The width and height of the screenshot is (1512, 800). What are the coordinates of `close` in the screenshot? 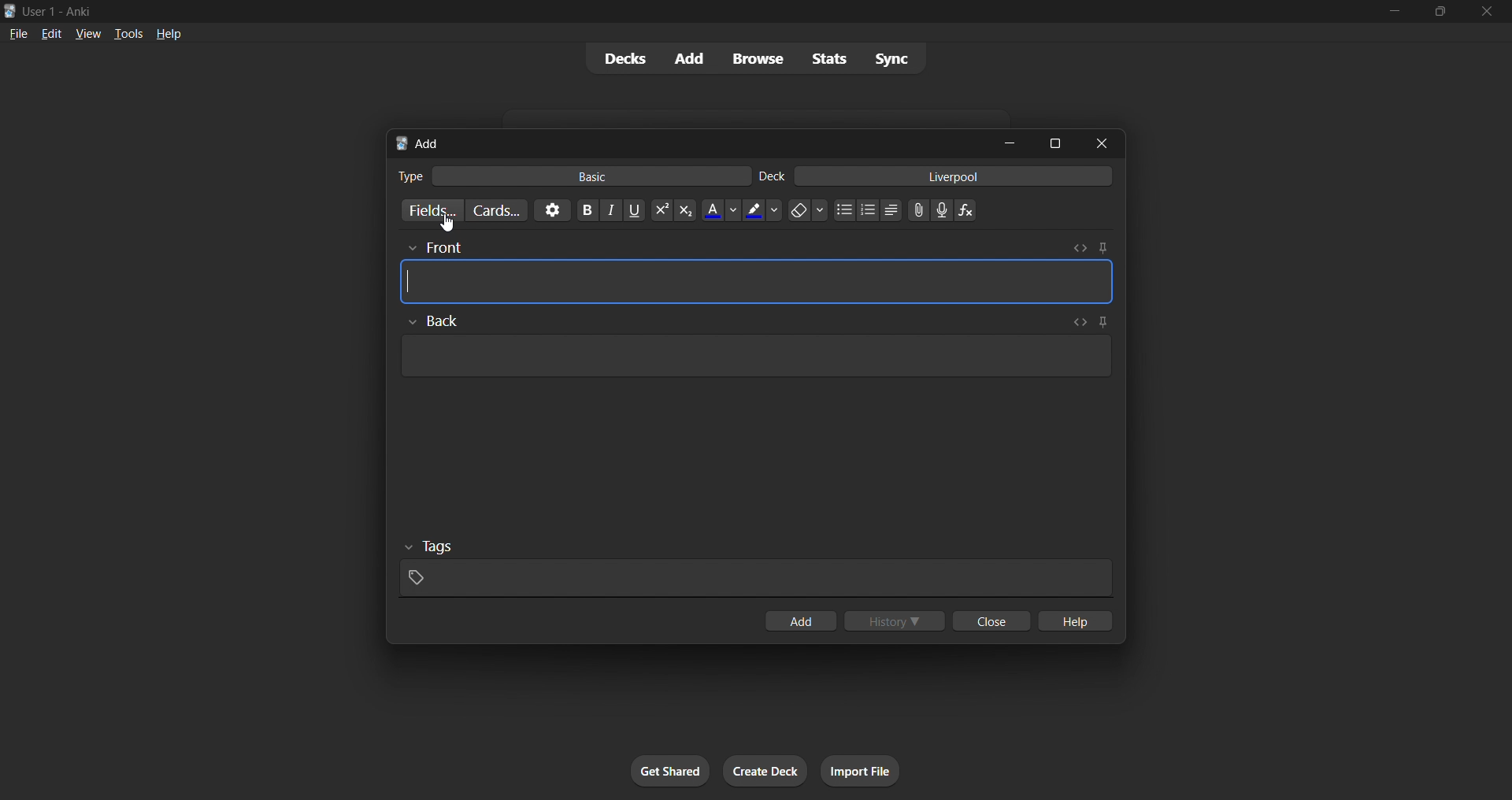 It's located at (1487, 12).